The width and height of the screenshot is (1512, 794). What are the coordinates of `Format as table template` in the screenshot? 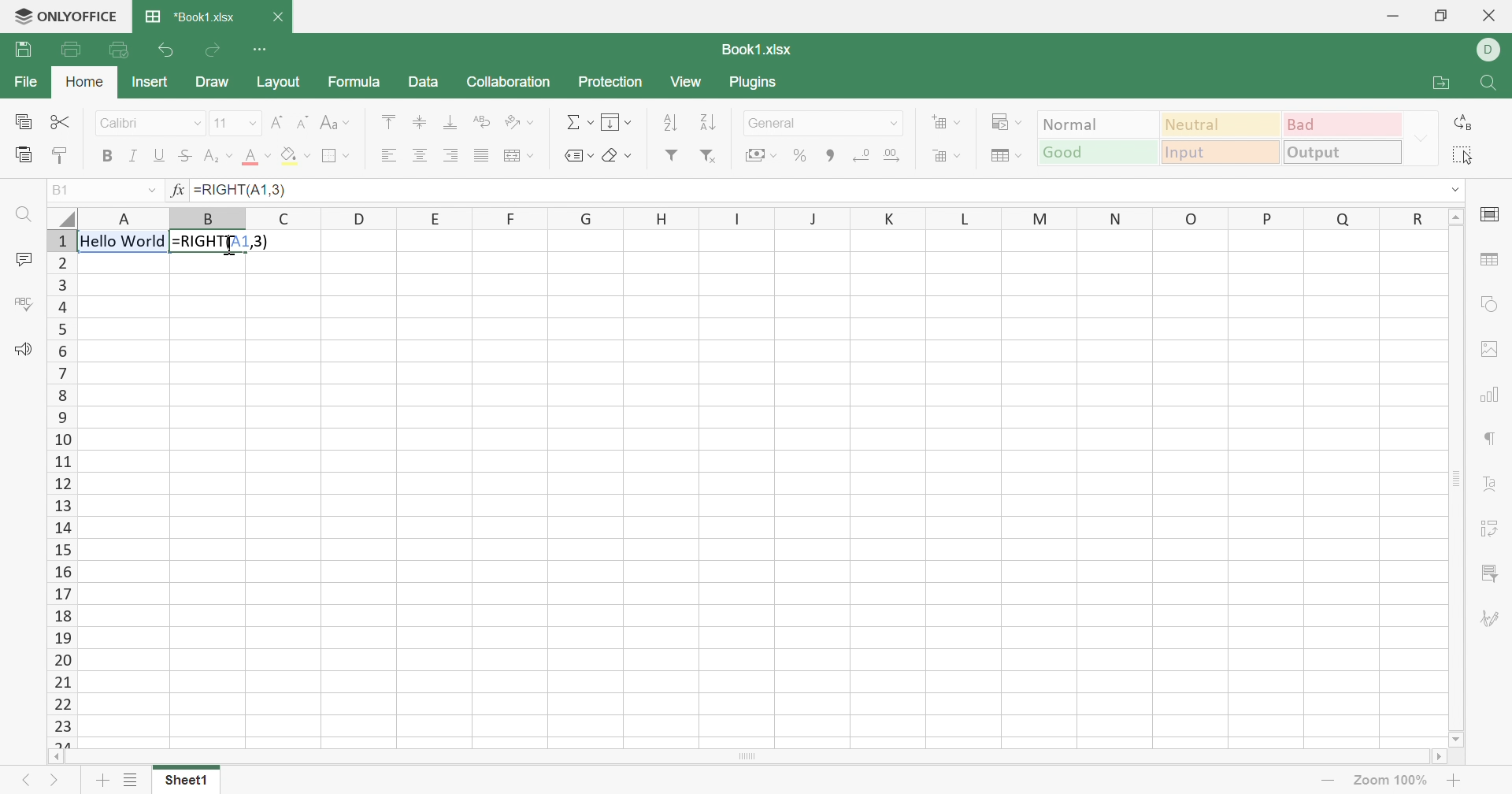 It's located at (1009, 155).